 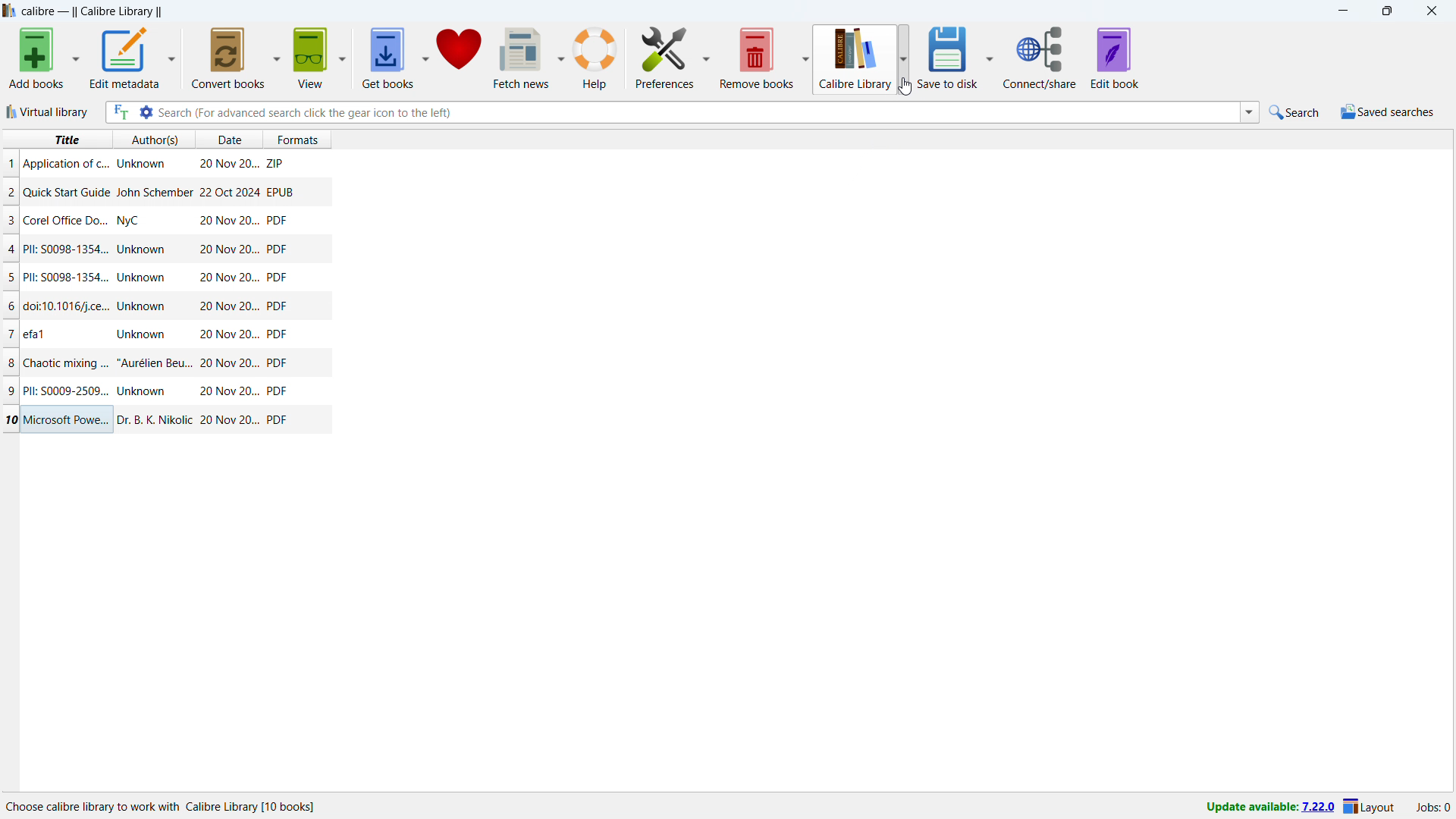 I want to click on date, so click(x=227, y=140).